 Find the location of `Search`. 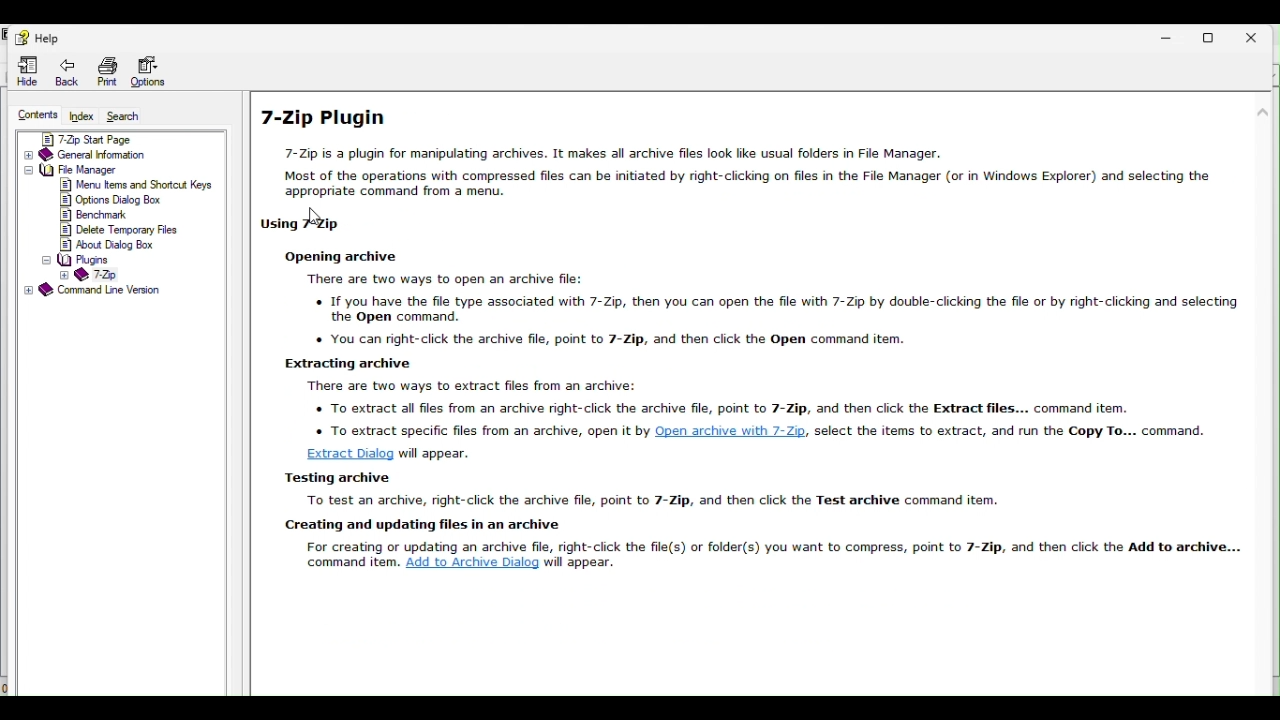

Search is located at coordinates (130, 116).